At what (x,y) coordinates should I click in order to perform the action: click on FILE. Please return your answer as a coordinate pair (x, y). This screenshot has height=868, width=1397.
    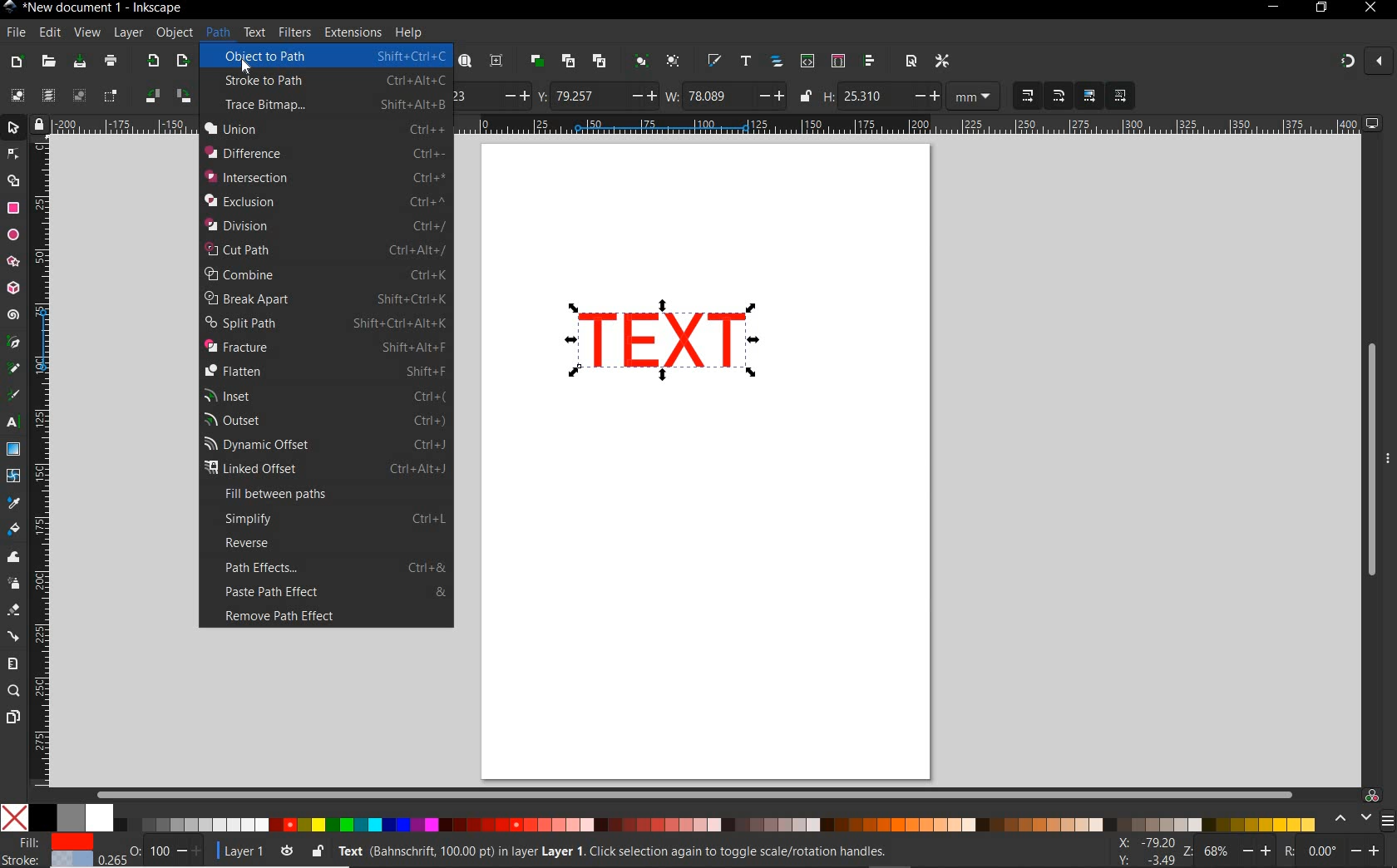
    Looking at the image, I should click on (14, 33).